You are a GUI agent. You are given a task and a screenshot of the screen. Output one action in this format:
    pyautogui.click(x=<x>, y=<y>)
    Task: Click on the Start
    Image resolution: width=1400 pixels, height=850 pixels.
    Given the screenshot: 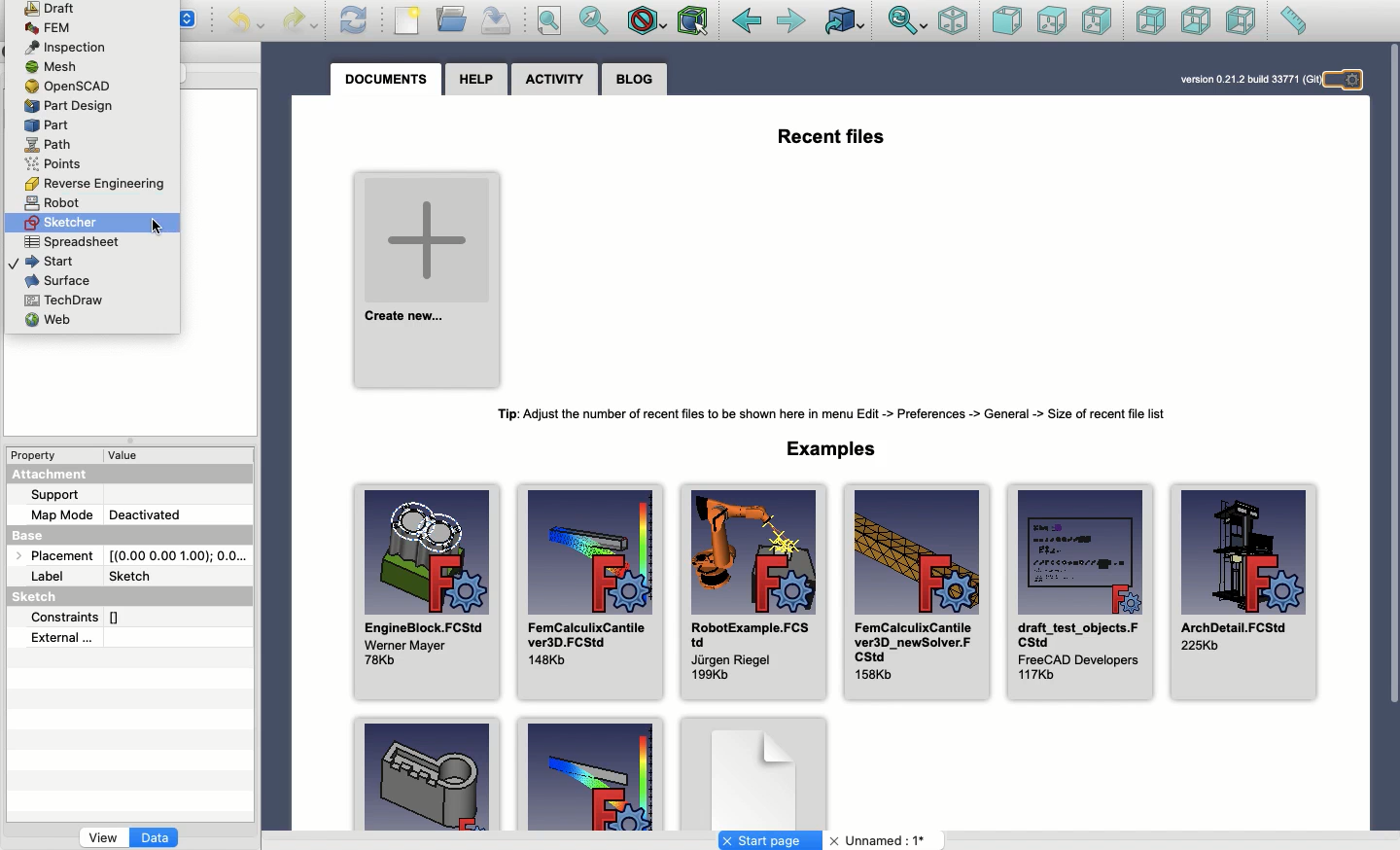 What is the action you would take?
    pyautogui.click(x=41, y=260)
    